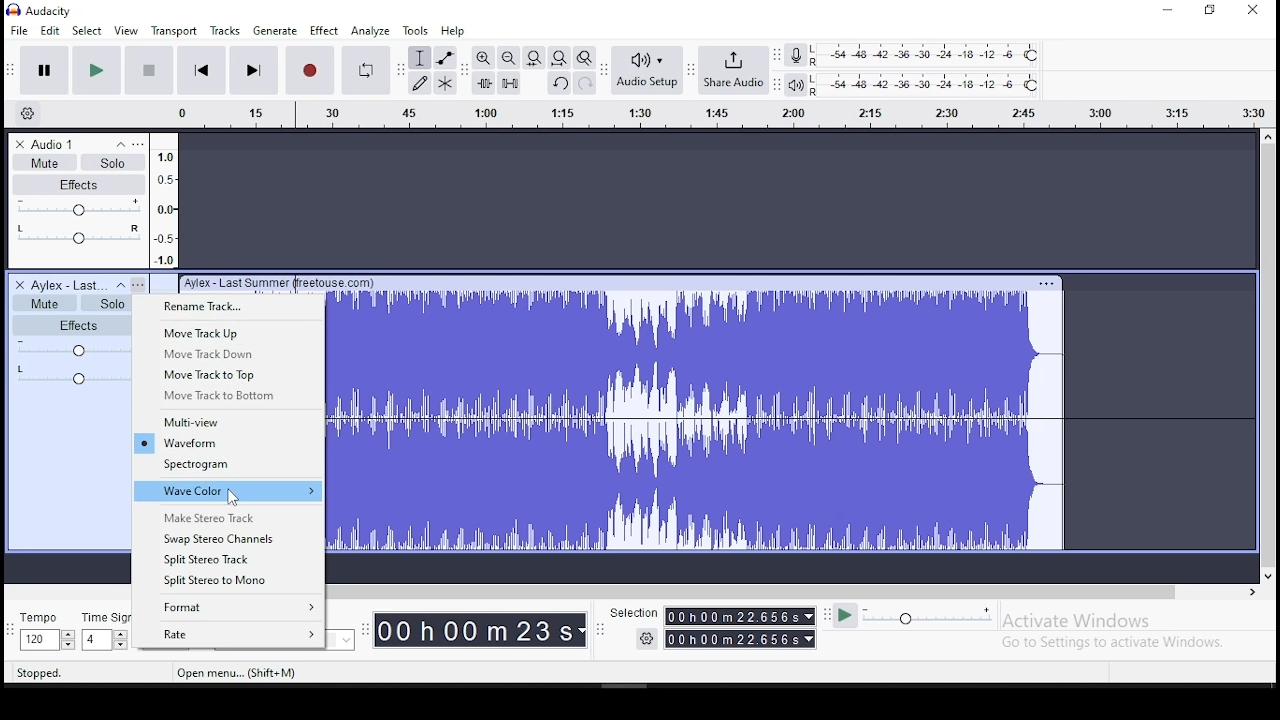 The image size is (1280, 720). What do you see at coordinates (444, 58) in the screenshot?
I see `envelope tool` at bounding box center [444, 58].